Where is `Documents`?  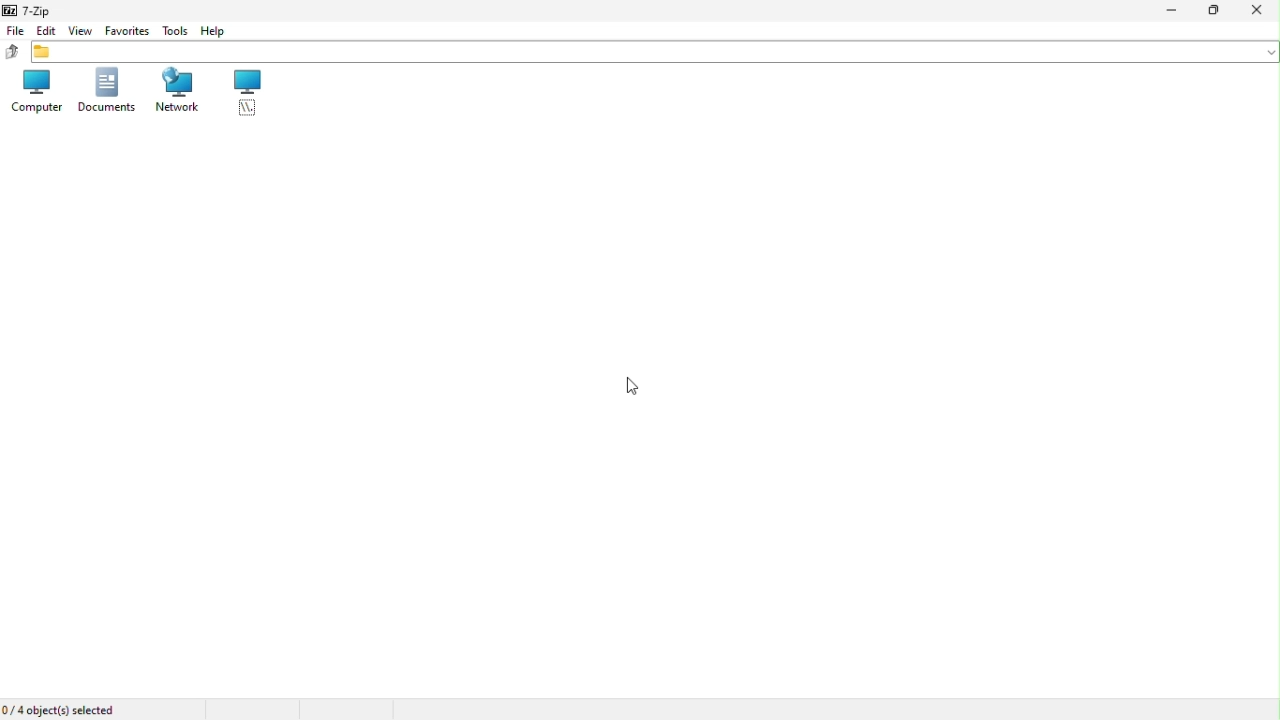 Documents is located at coordinates (108, 91).